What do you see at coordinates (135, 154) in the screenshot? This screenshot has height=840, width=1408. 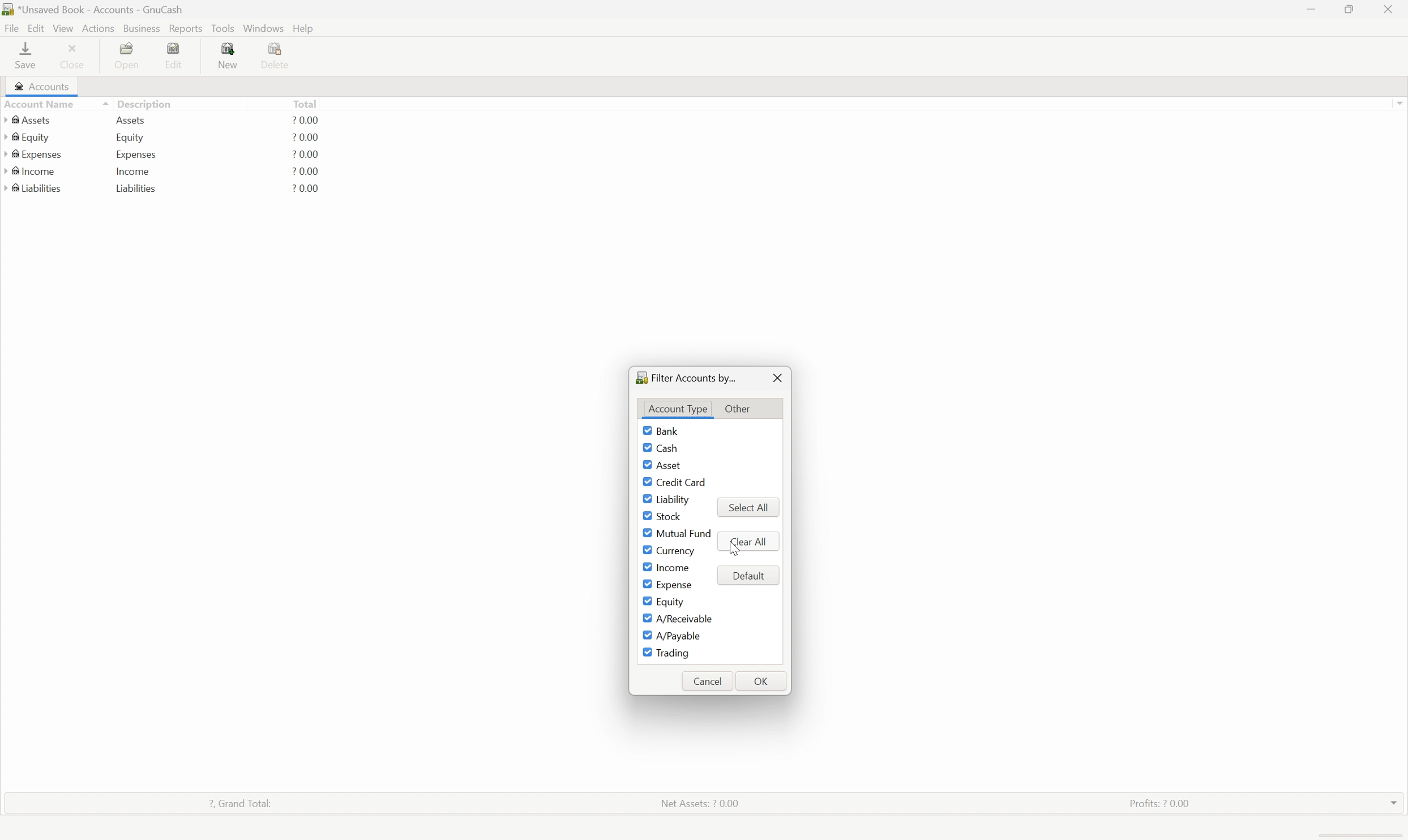 I see `Expenses` at bounding box center [135, 154].